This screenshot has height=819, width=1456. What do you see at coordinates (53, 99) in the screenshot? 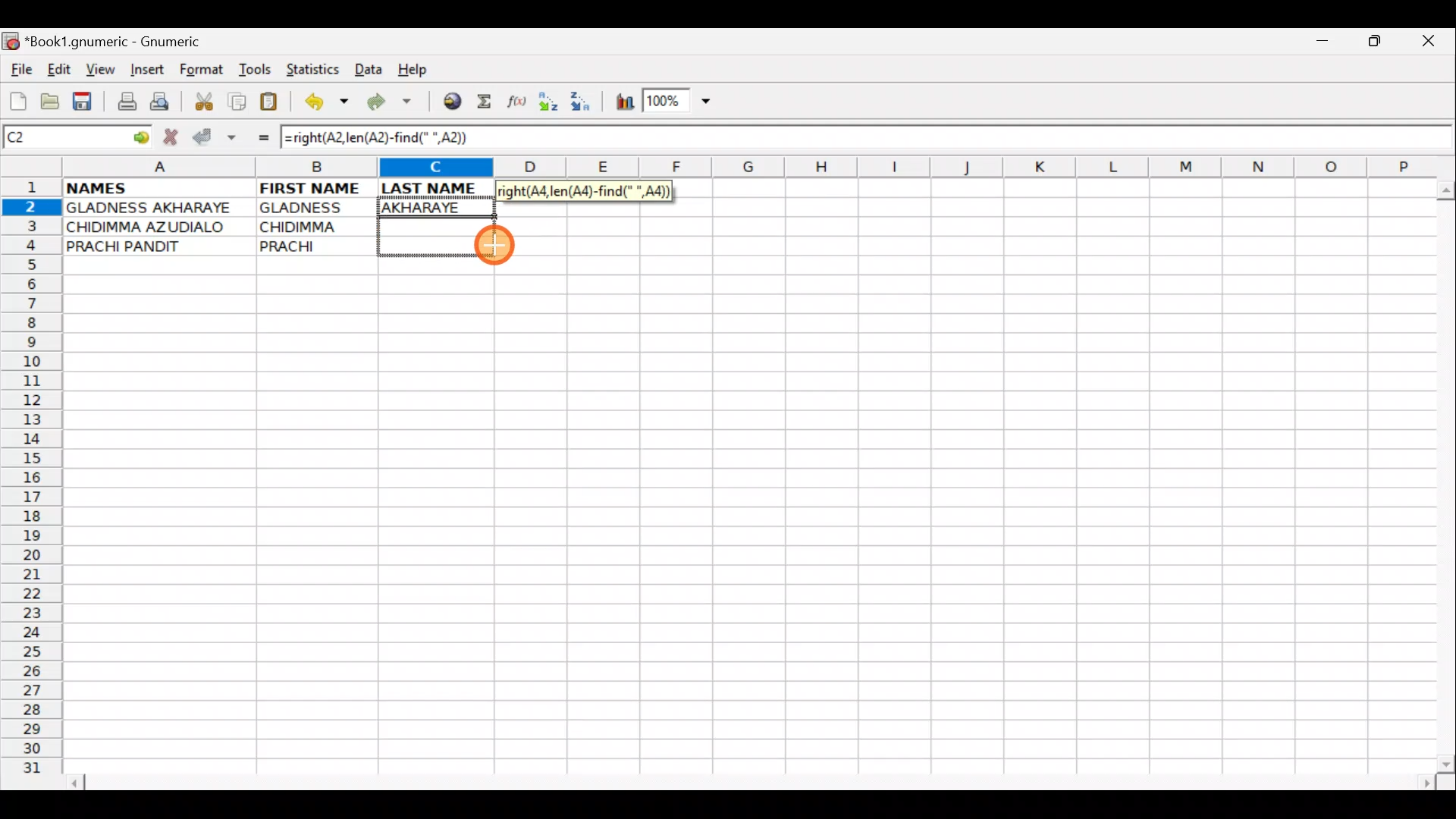
I see `Open a file` at bounding box center [53, 99].